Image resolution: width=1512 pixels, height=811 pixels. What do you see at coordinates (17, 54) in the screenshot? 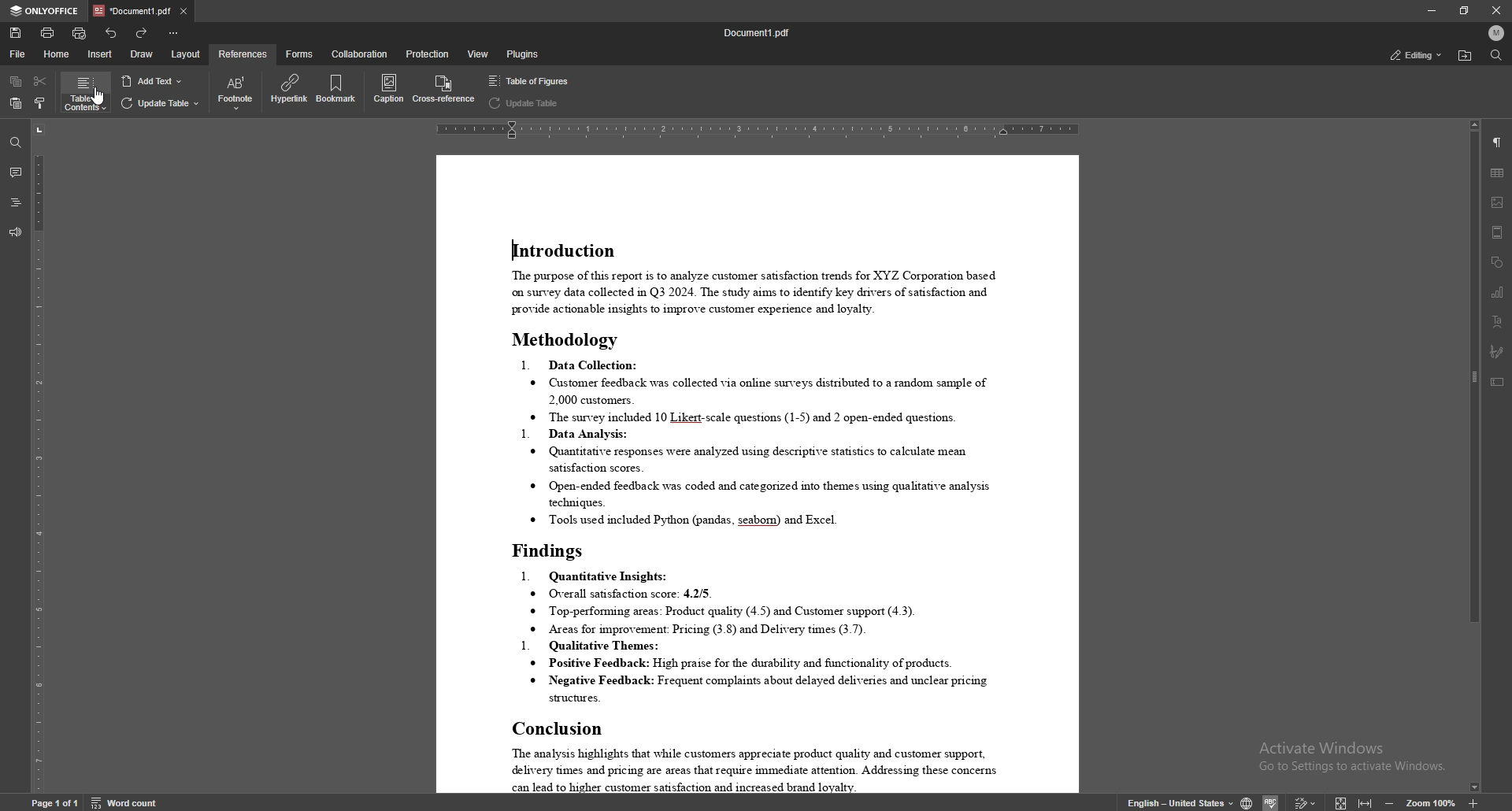
I see `file` at bounding box center [17, 54].